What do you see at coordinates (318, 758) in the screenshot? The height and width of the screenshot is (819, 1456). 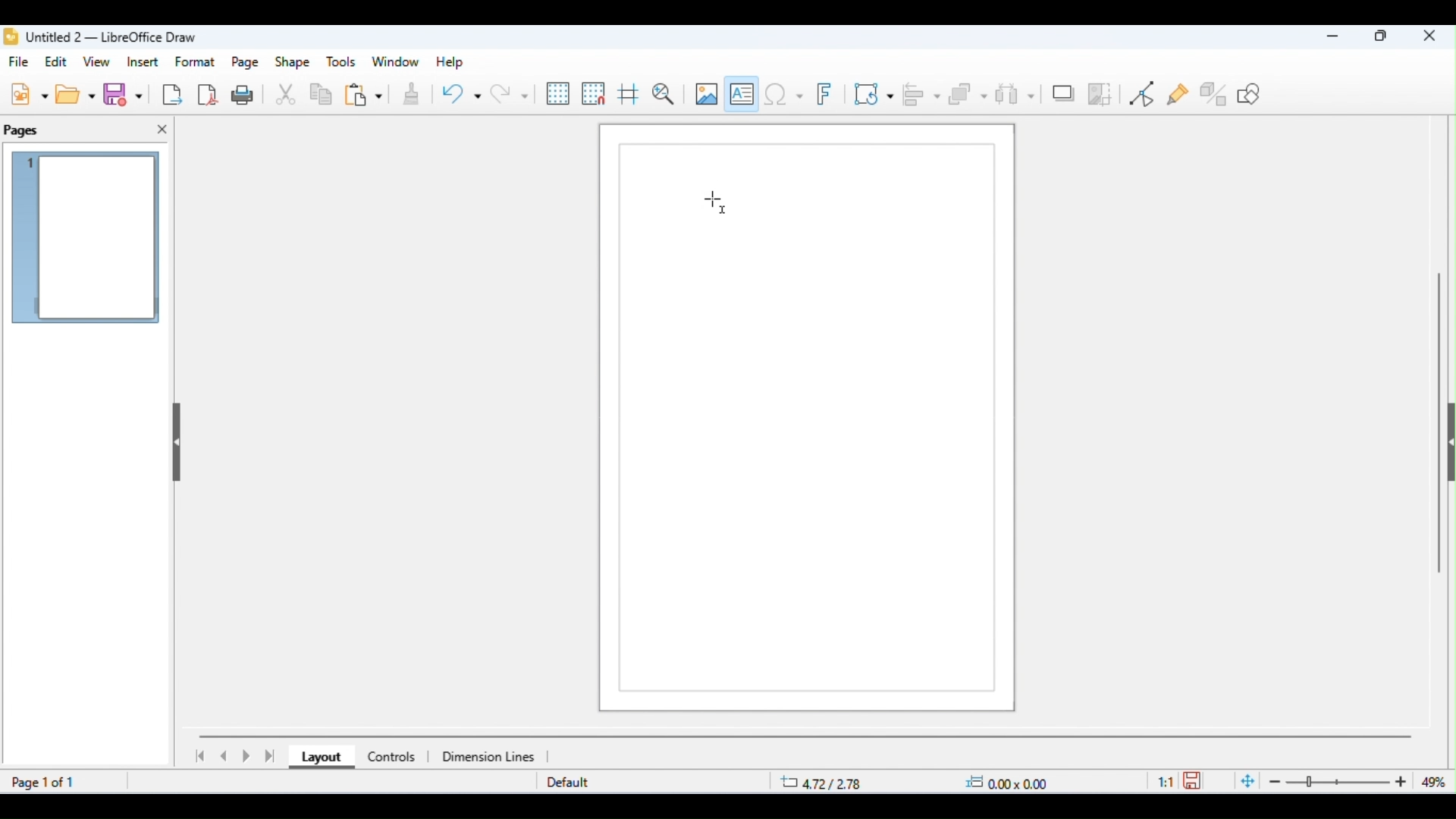 I see `layout` at bounding box center [318, 758].